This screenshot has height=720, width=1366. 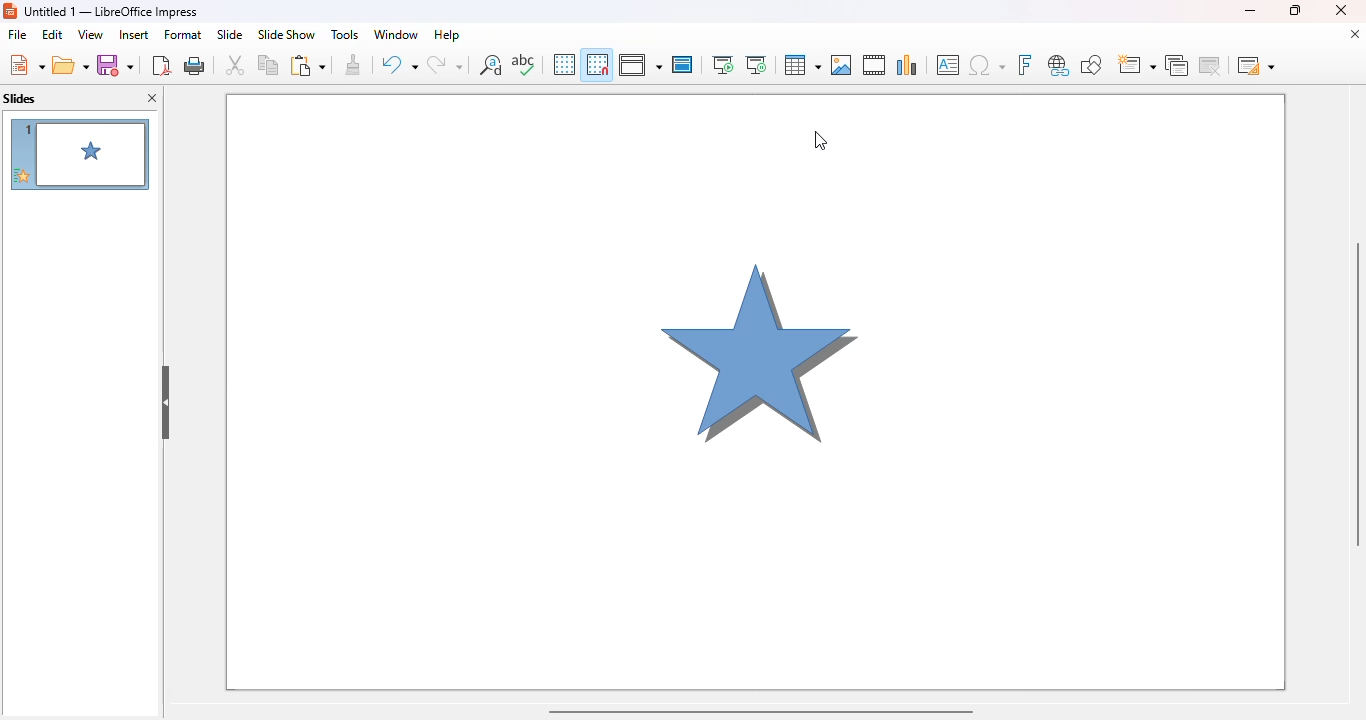 What do you see at coordinates (1024, 65) in the screenshot?
I see `insert fontwork text` at bounding box center [1024, 65].